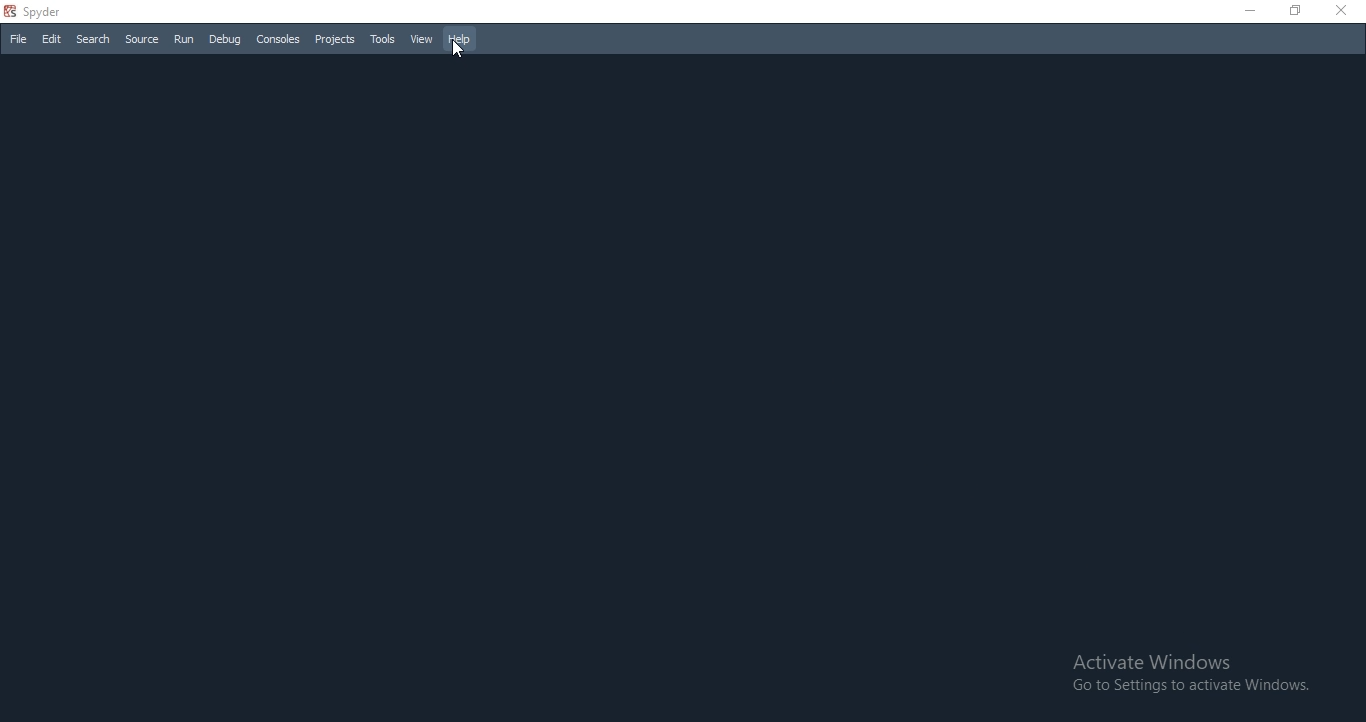 The height and width of the screenshot is (722, 1366). Describe the element at coordinates (141, 41) in the screenshot. I see `Source` at that location.